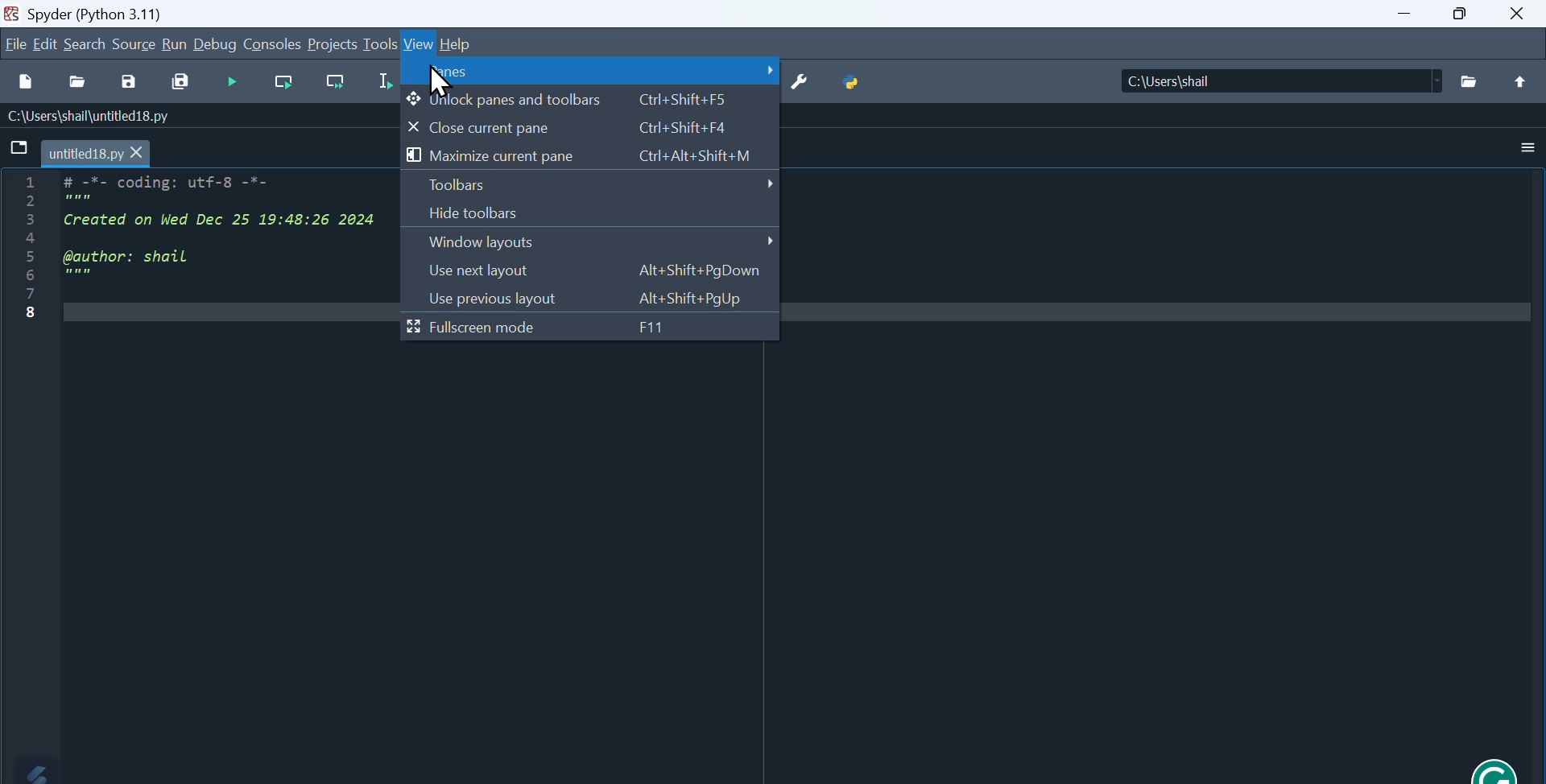 Image resolution: width=1546 pixels, height=784 pixels. I want to click on Unlock toolbars, so click(580, 100).